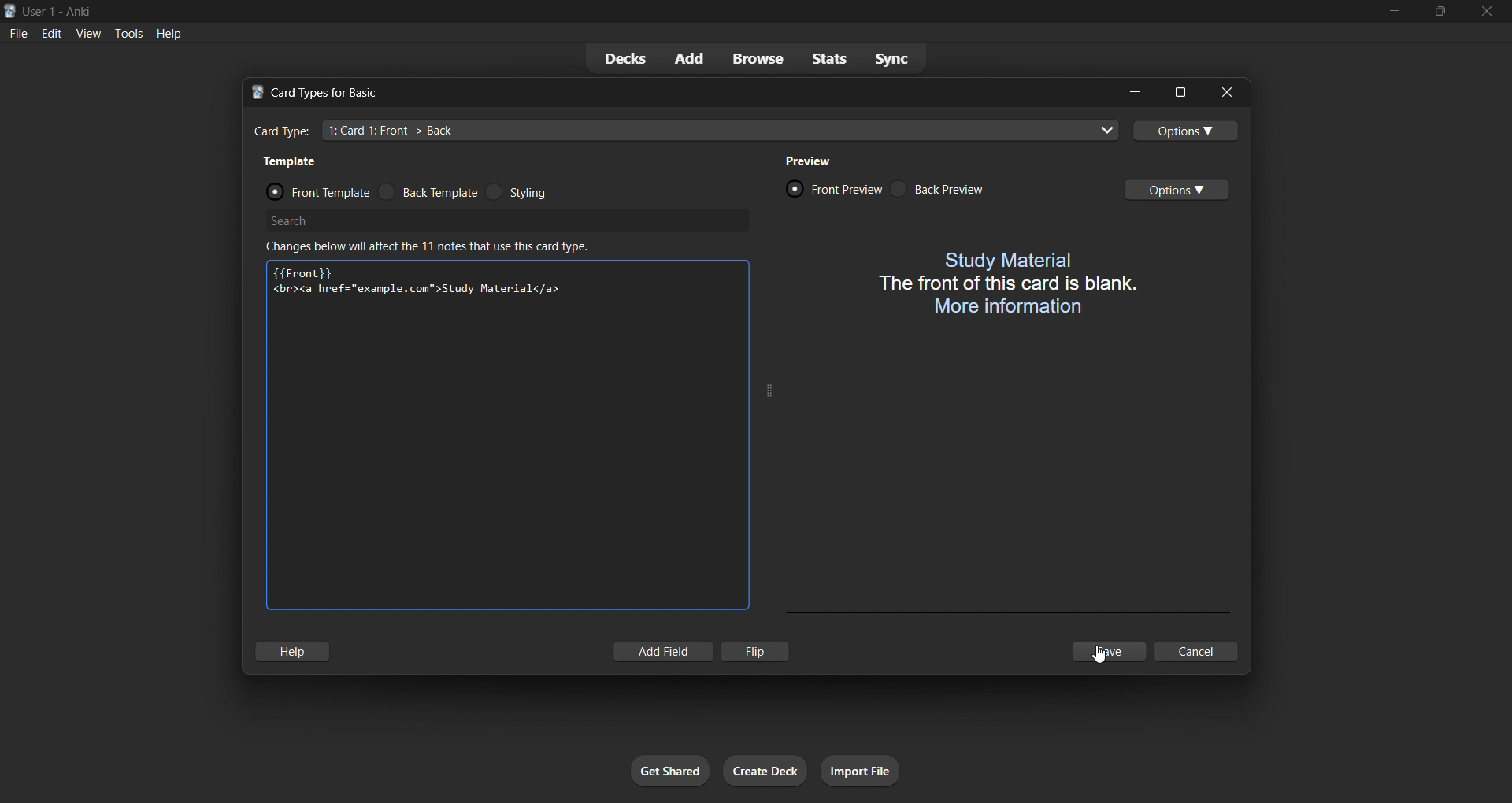 The image size is (1512, 803). Describe the element at coordinates (431, 191) in the screenshot. I see `back template` at that location.